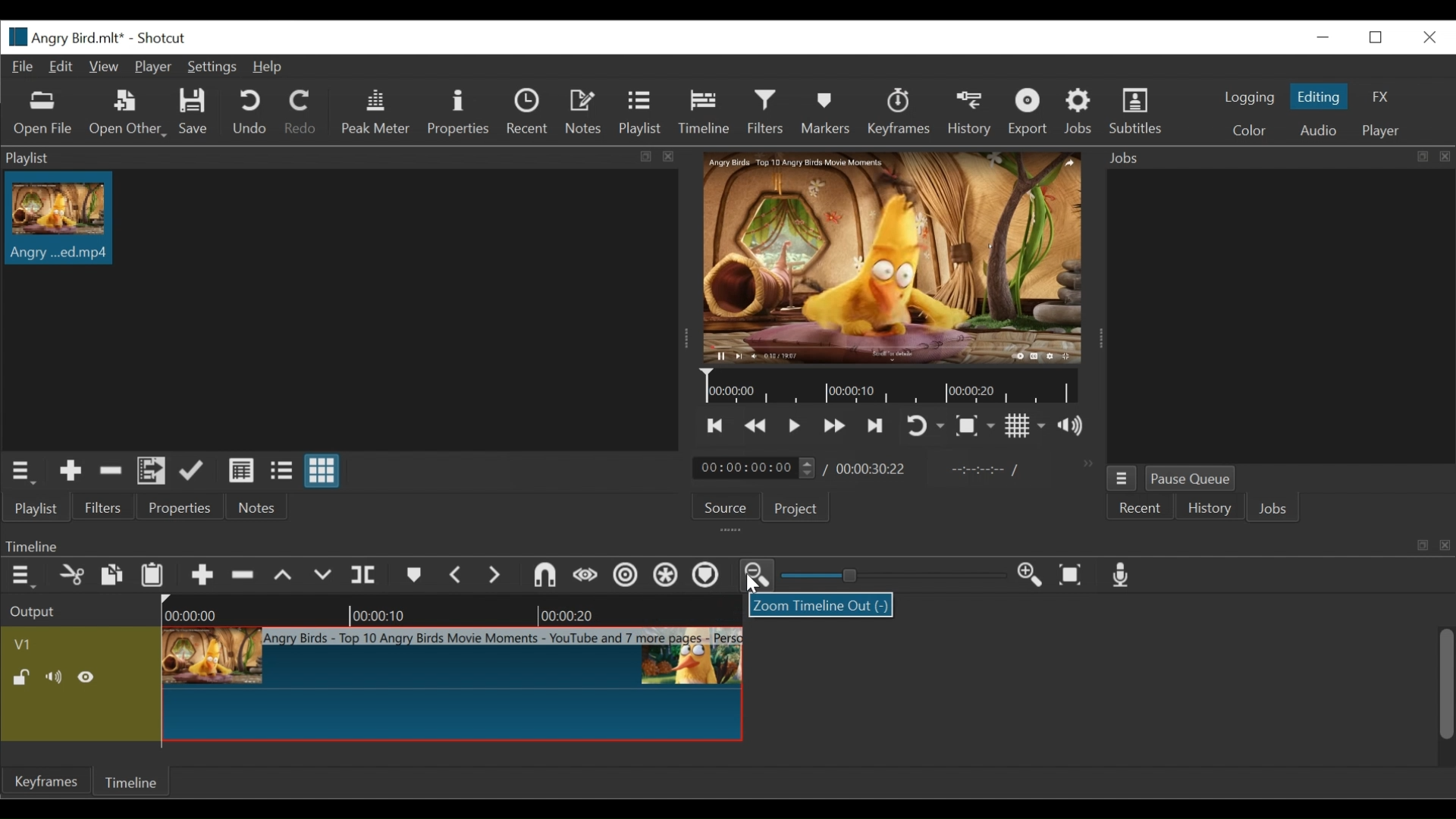 Image resolution: width=1456 pixels, height=819 pixels. Describe the element at coordinates (543, 575) in the screenshot. I see `Snap` at that location.